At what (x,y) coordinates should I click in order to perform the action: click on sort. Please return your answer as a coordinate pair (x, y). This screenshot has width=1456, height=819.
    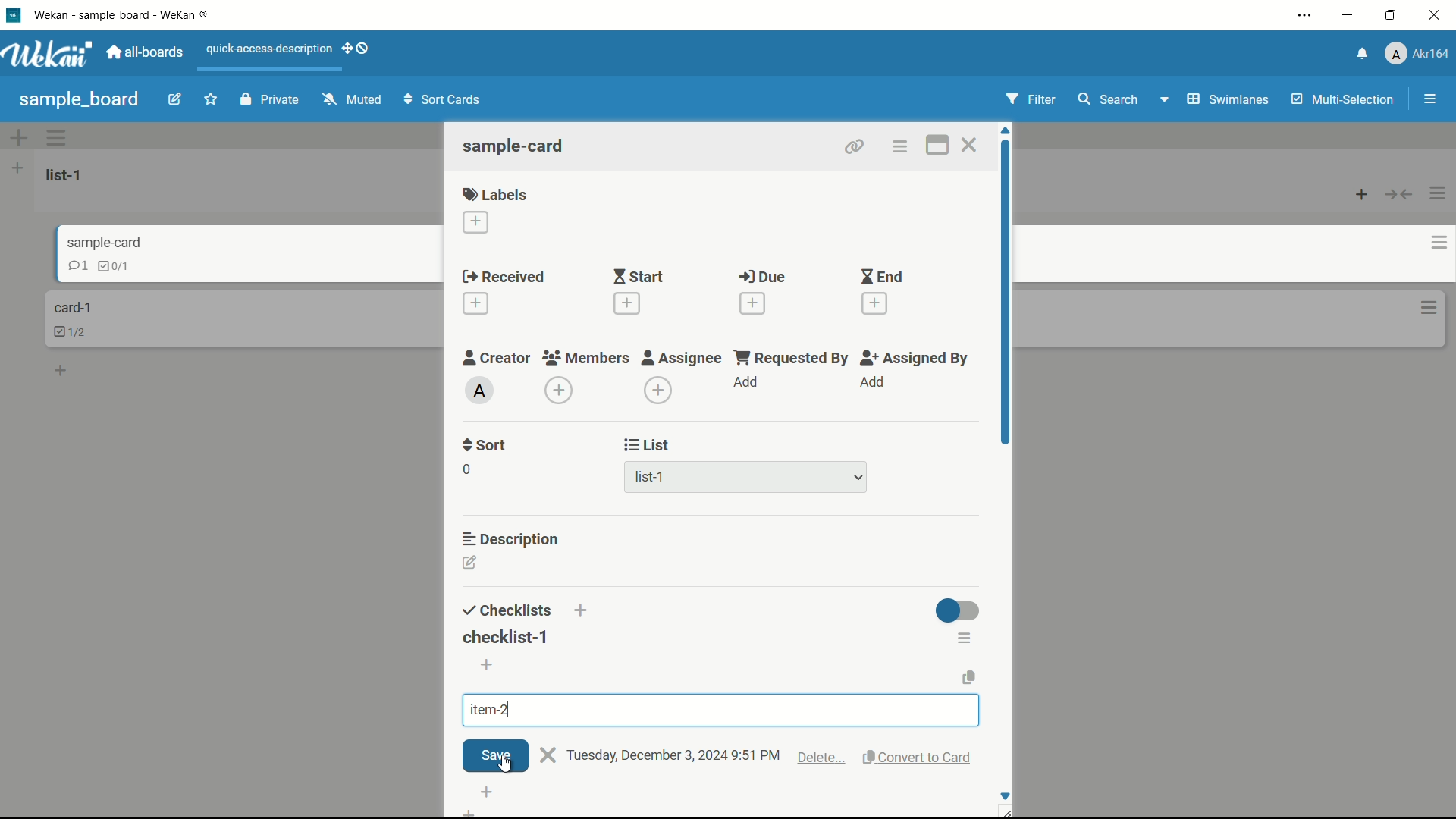
    Looking at the image, I should click on (485, 447).